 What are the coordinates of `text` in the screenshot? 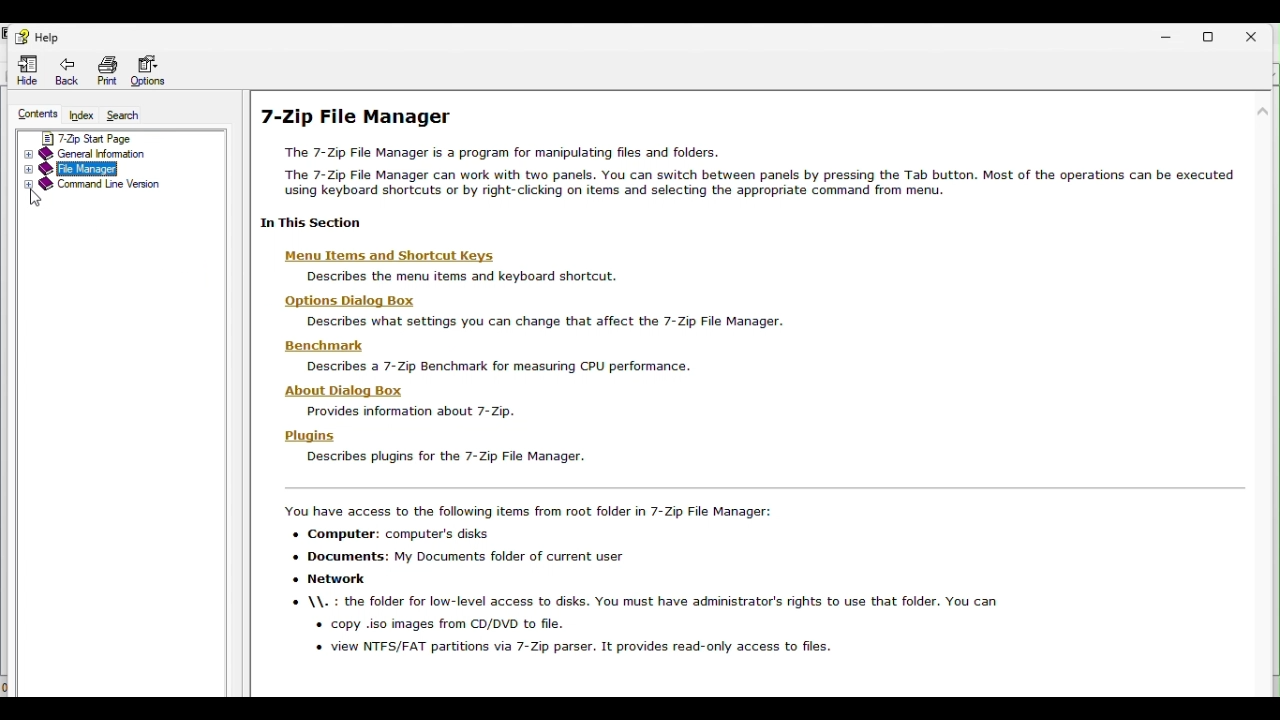 It's located at (751, 171).